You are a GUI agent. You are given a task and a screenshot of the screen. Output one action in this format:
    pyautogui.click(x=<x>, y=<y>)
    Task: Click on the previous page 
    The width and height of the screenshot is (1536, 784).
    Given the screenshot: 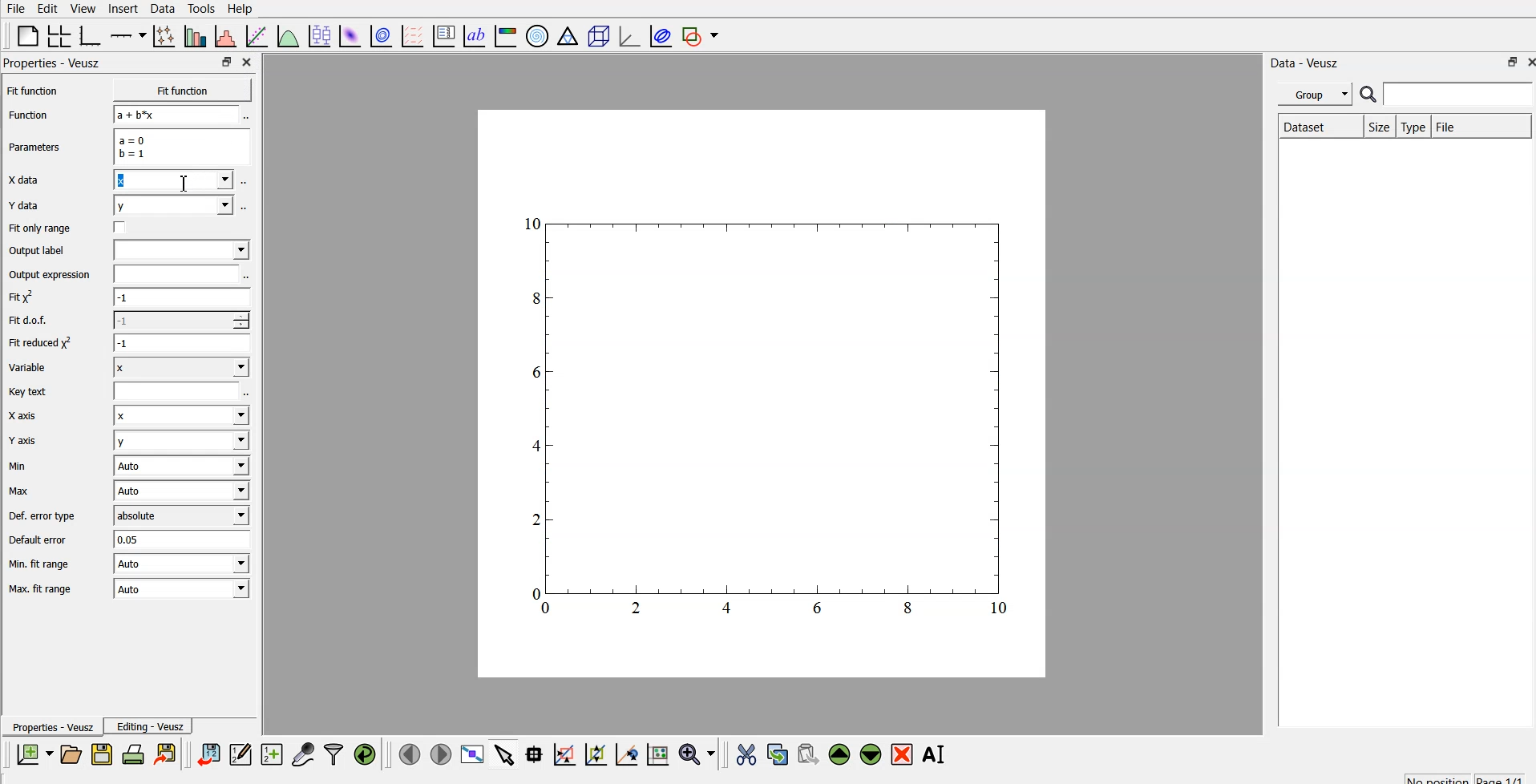 What is the action you would take?
    pyautogui.click(x=409, y=755)
    